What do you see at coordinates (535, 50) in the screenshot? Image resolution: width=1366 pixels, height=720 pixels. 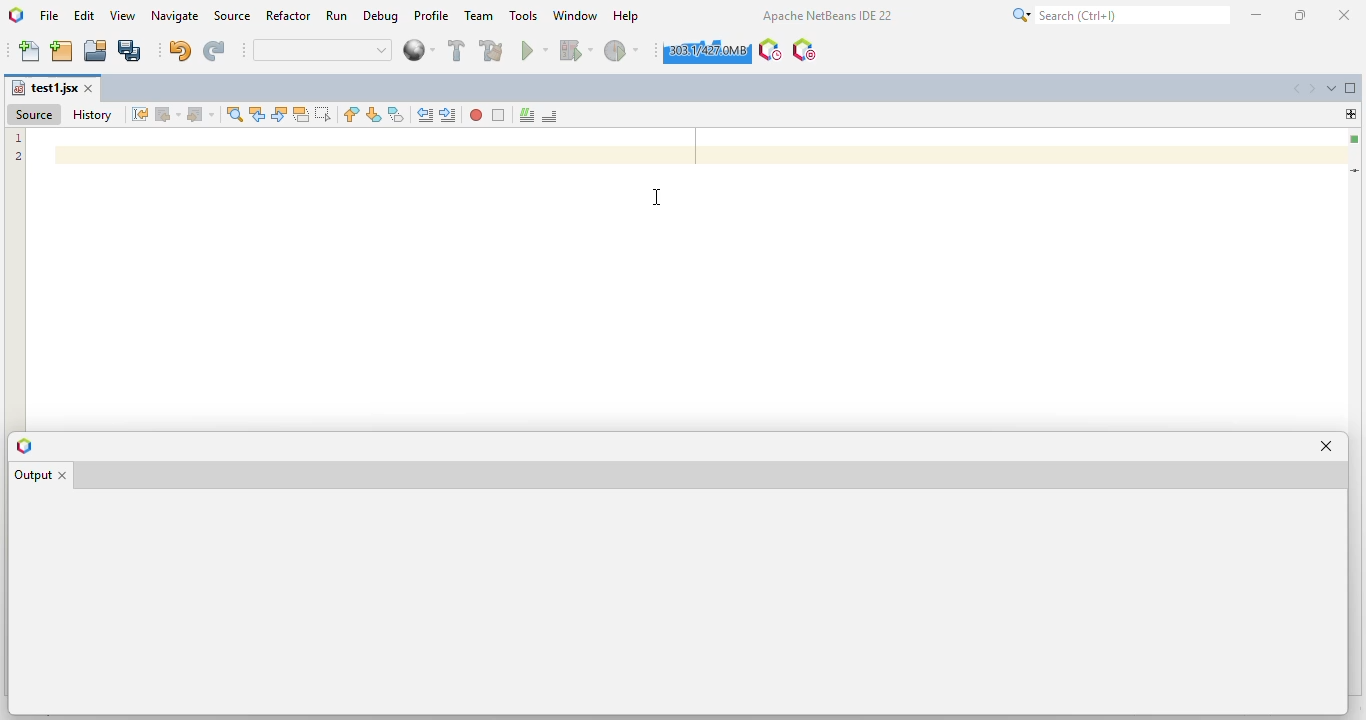 I see `run project` at bounding box center [535, 50].